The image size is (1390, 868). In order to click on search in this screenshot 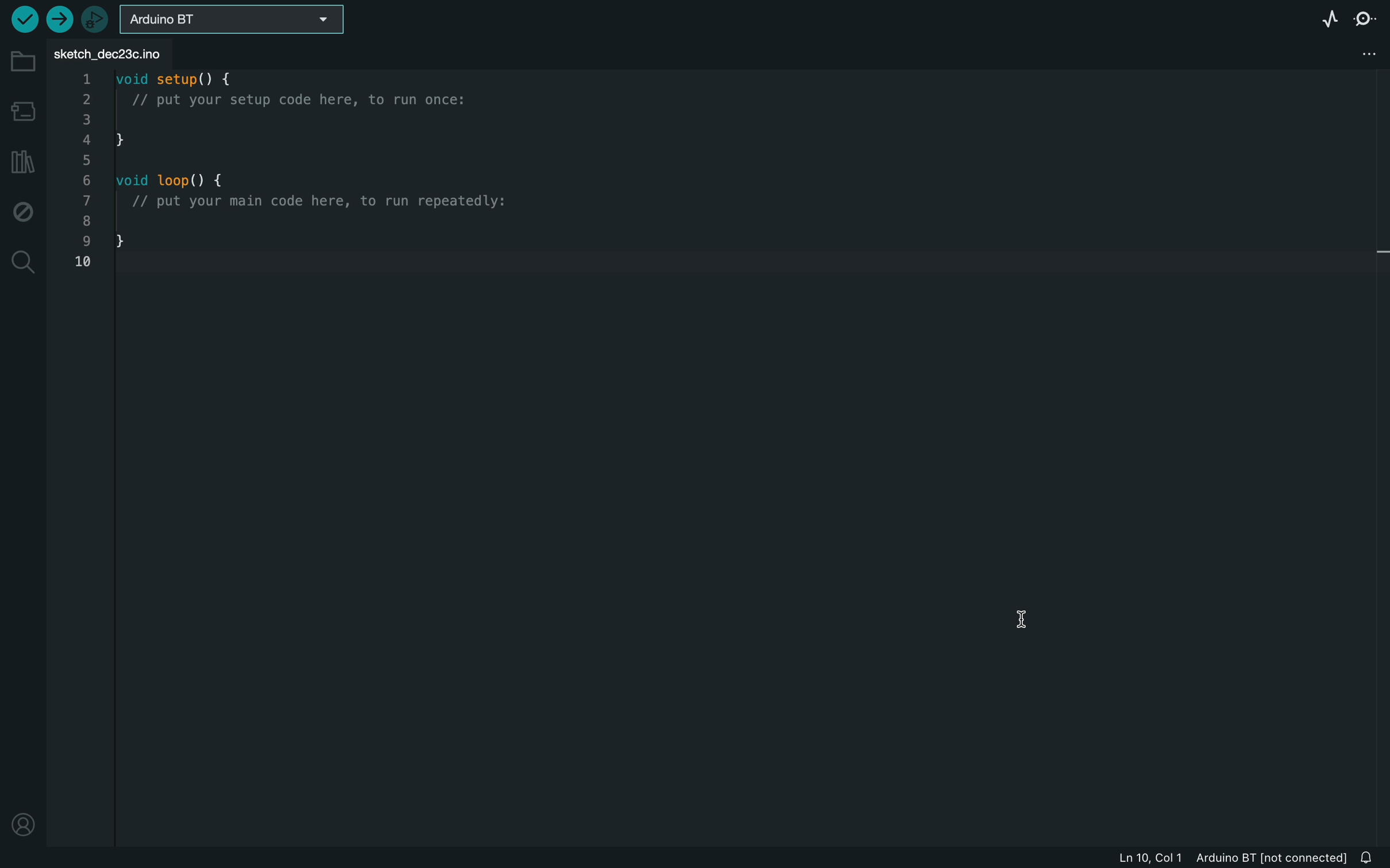, I will do `click(23, 263)`.